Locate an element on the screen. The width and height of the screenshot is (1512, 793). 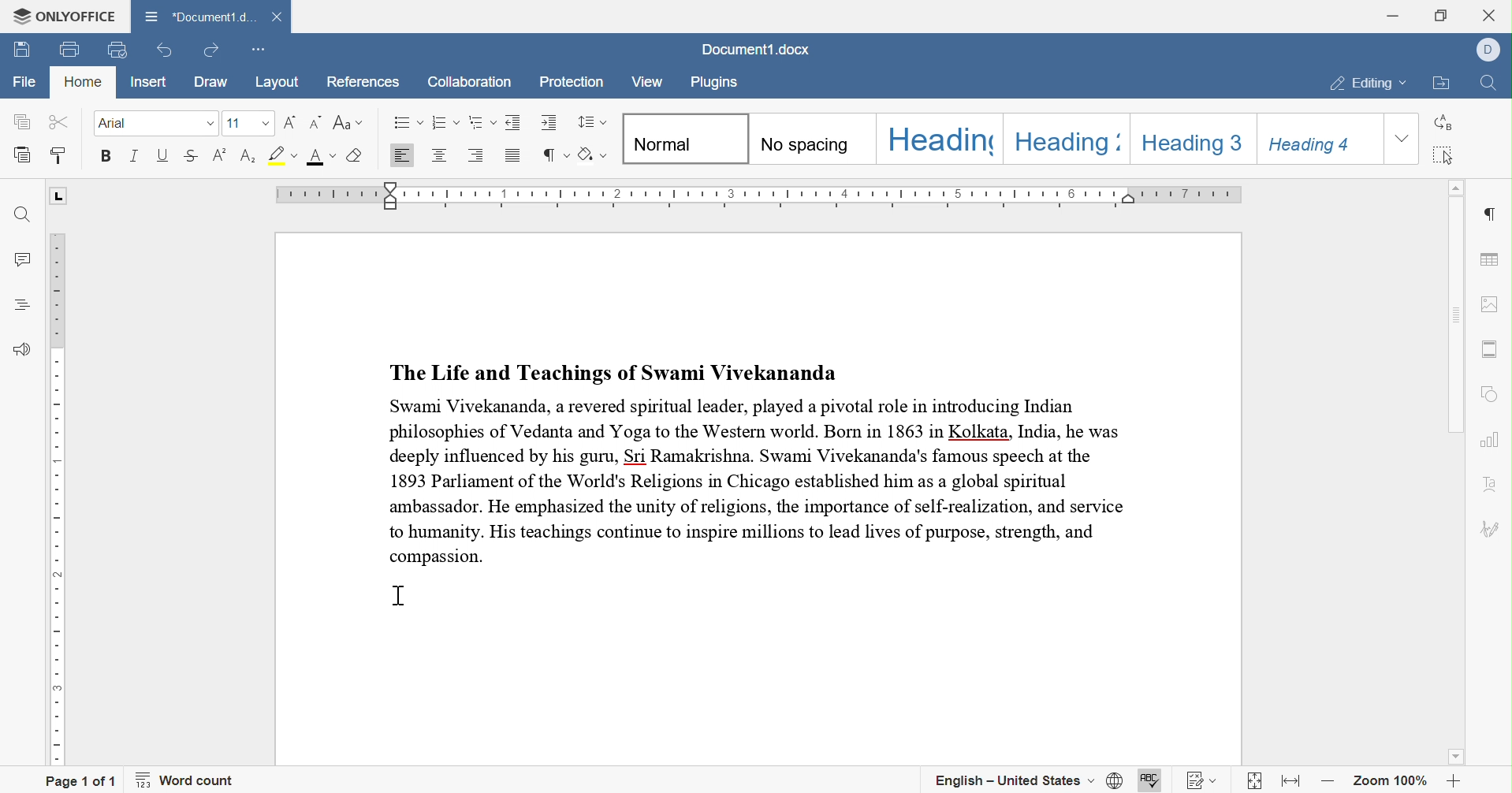
english - united states is located at coordinates (1015, 780).